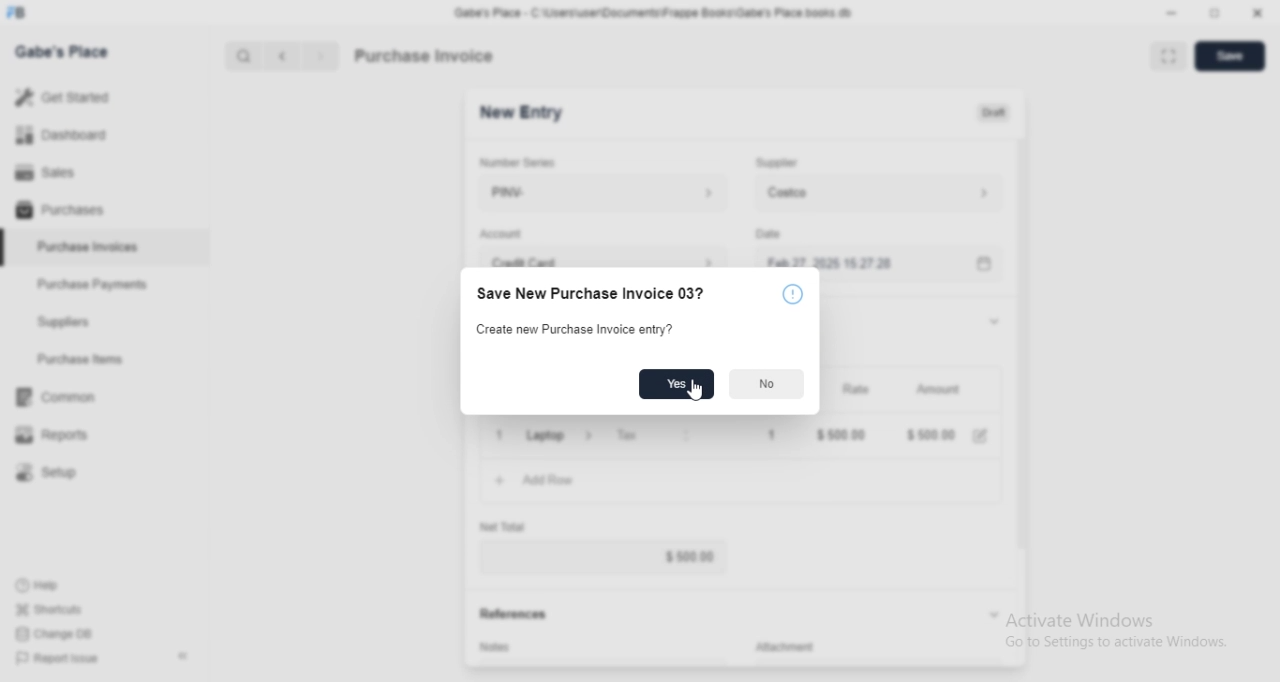 This screenshot has height=682, width=1280. What do you see at coordinates (1215, 13) in the screenshot?
I see `Change dimension` at bounding box center [1215, 13].